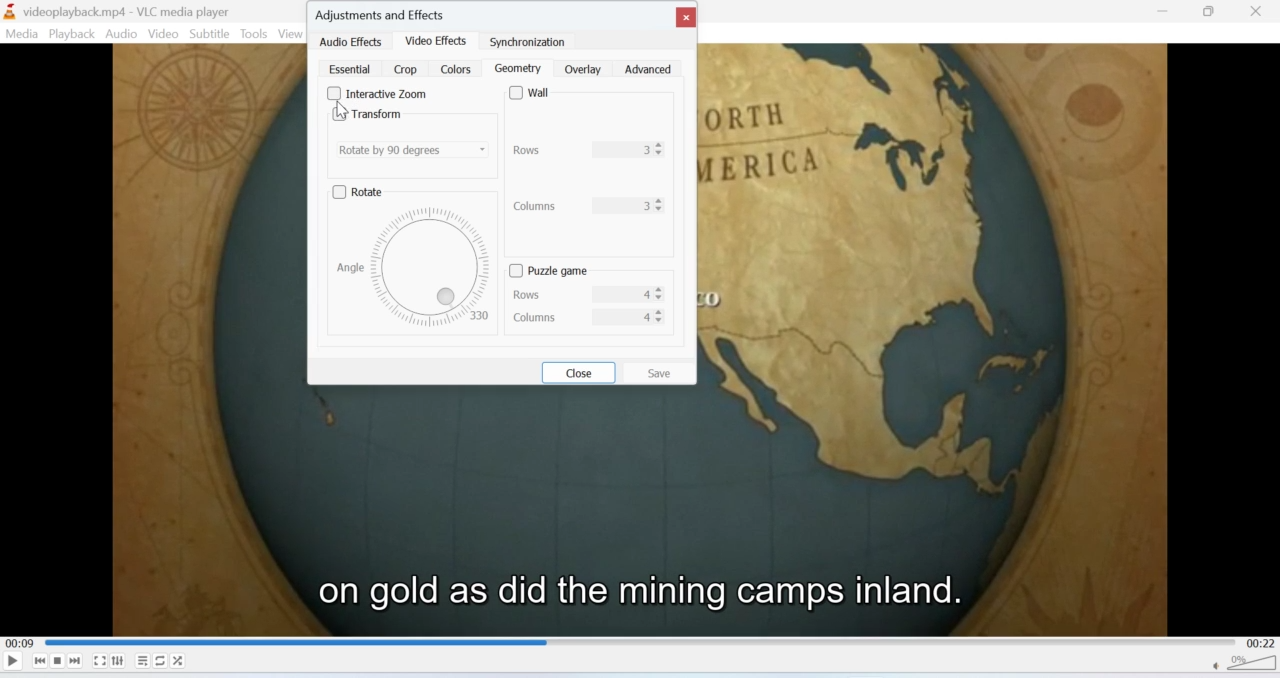 The width and height of the screenshot is (1280, 678). I want to click on Shuffle, so click(179, 661).